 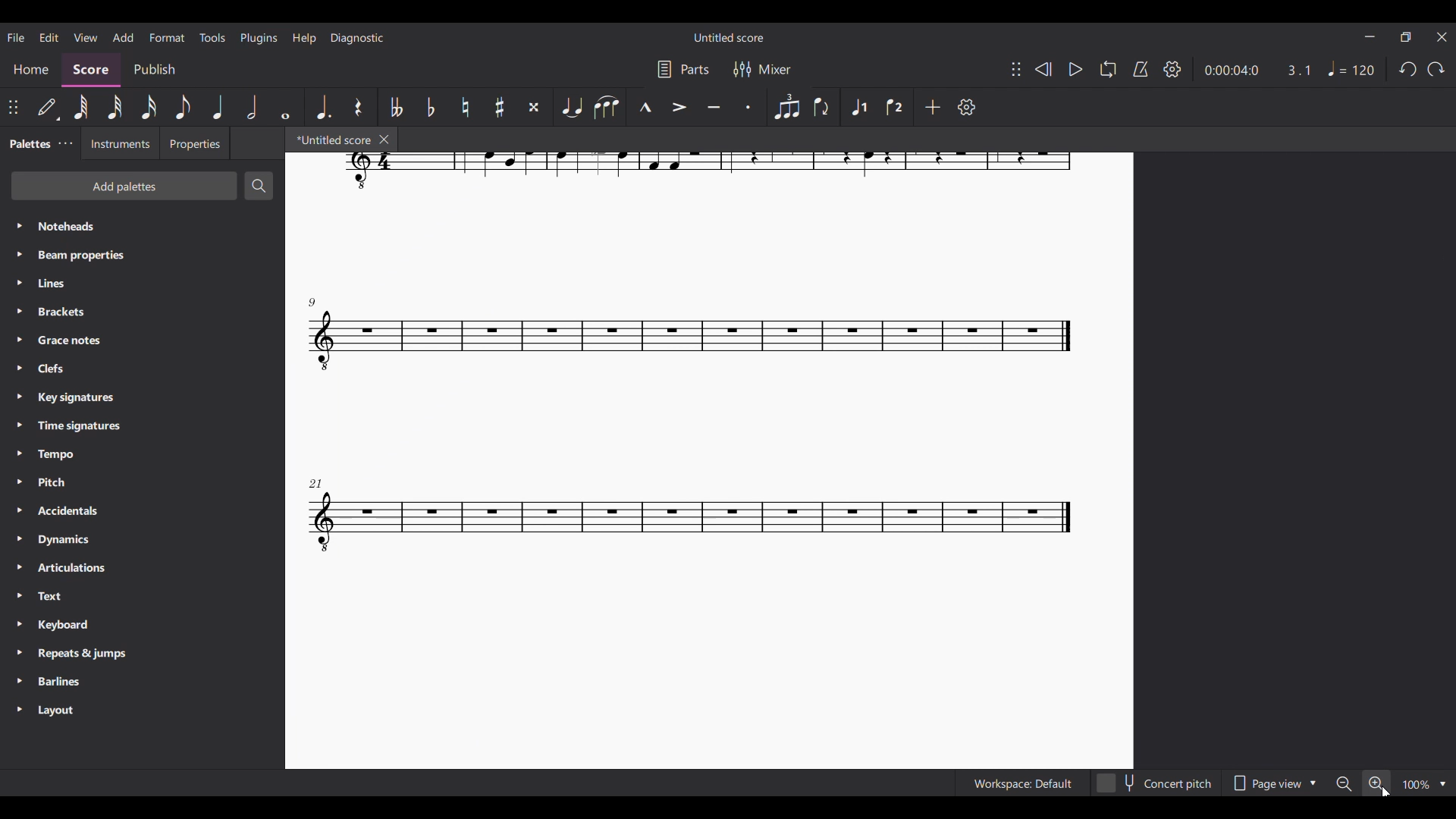 What do you see at coordinates (1408, 68) in the screenshot?
I see `Undo` at bounding box center [1408, 68].